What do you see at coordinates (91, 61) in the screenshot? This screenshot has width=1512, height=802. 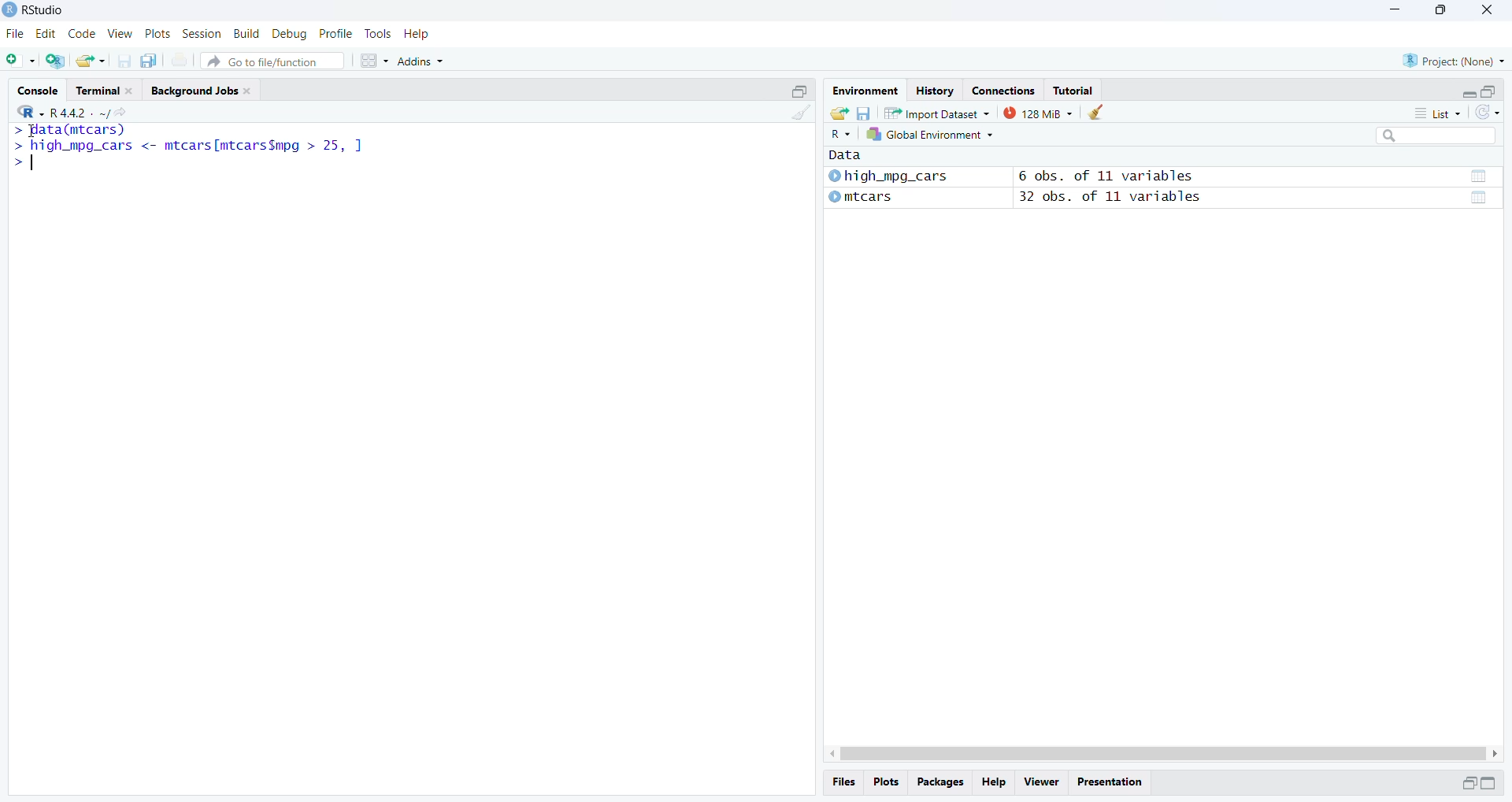 I see `open existing file` at bounding box center [91, 61].